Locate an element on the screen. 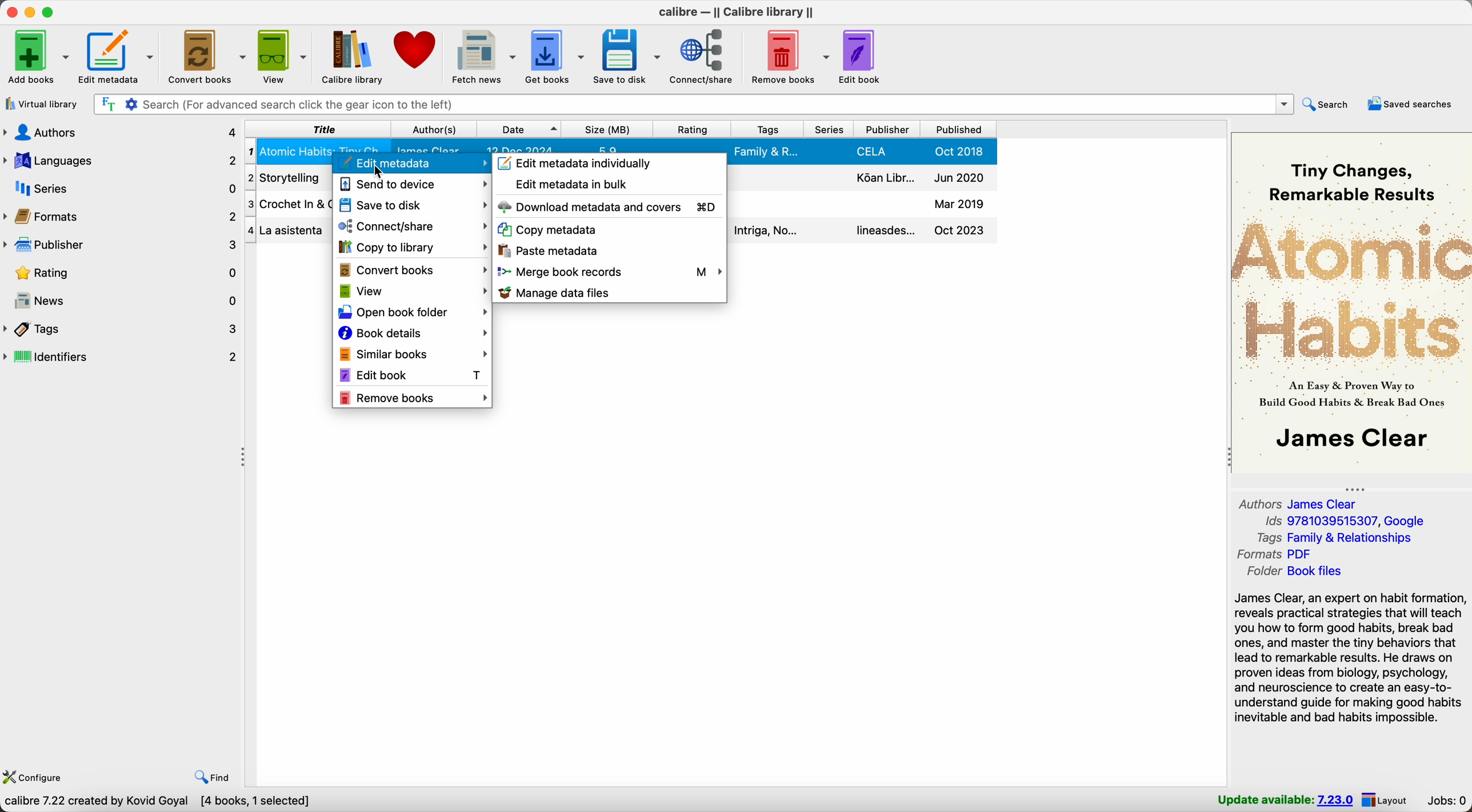  view is located at coordinates (411, 291).